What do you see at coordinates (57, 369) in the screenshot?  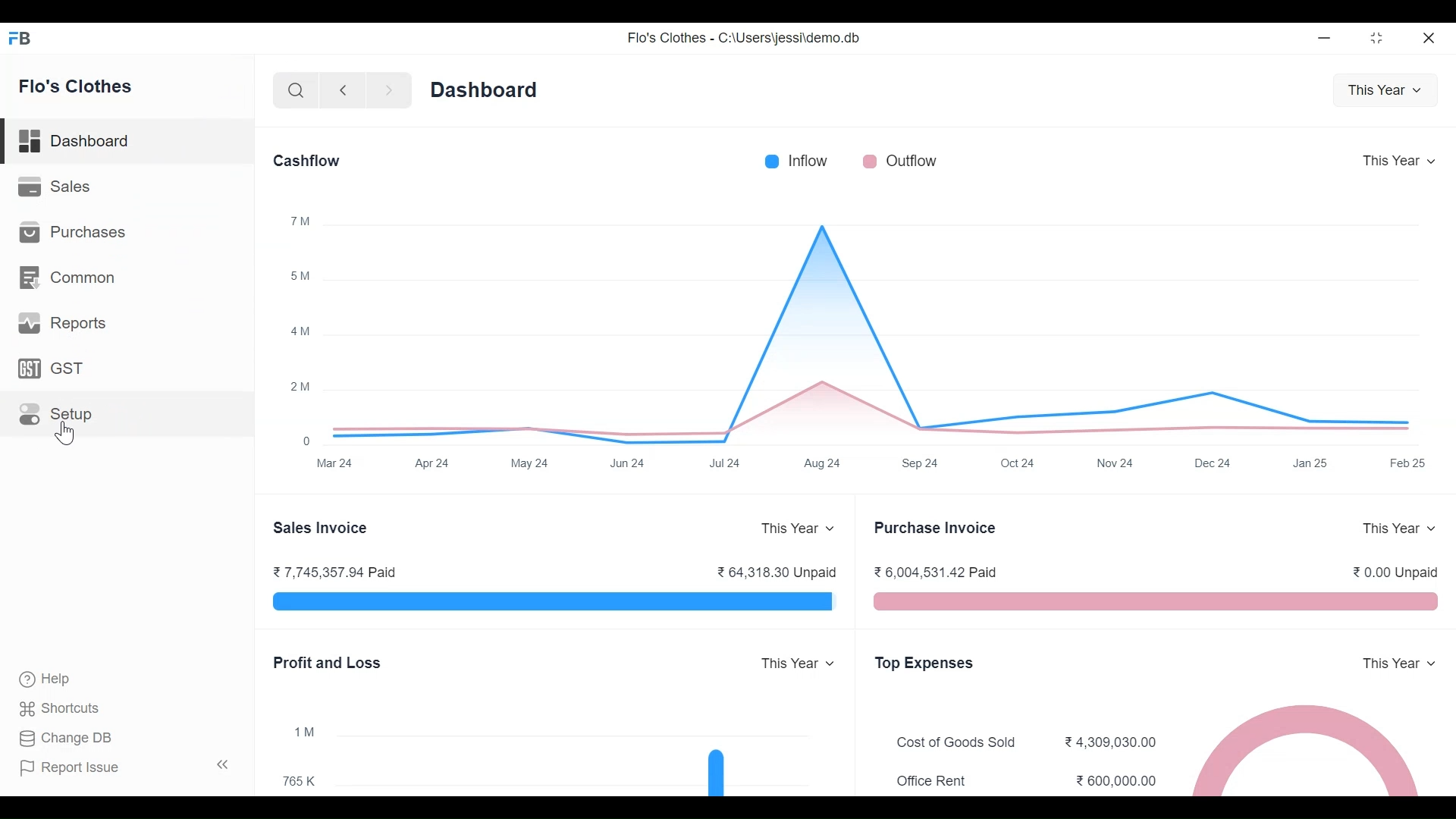 I see `GST` at bounding box center [57, 369].